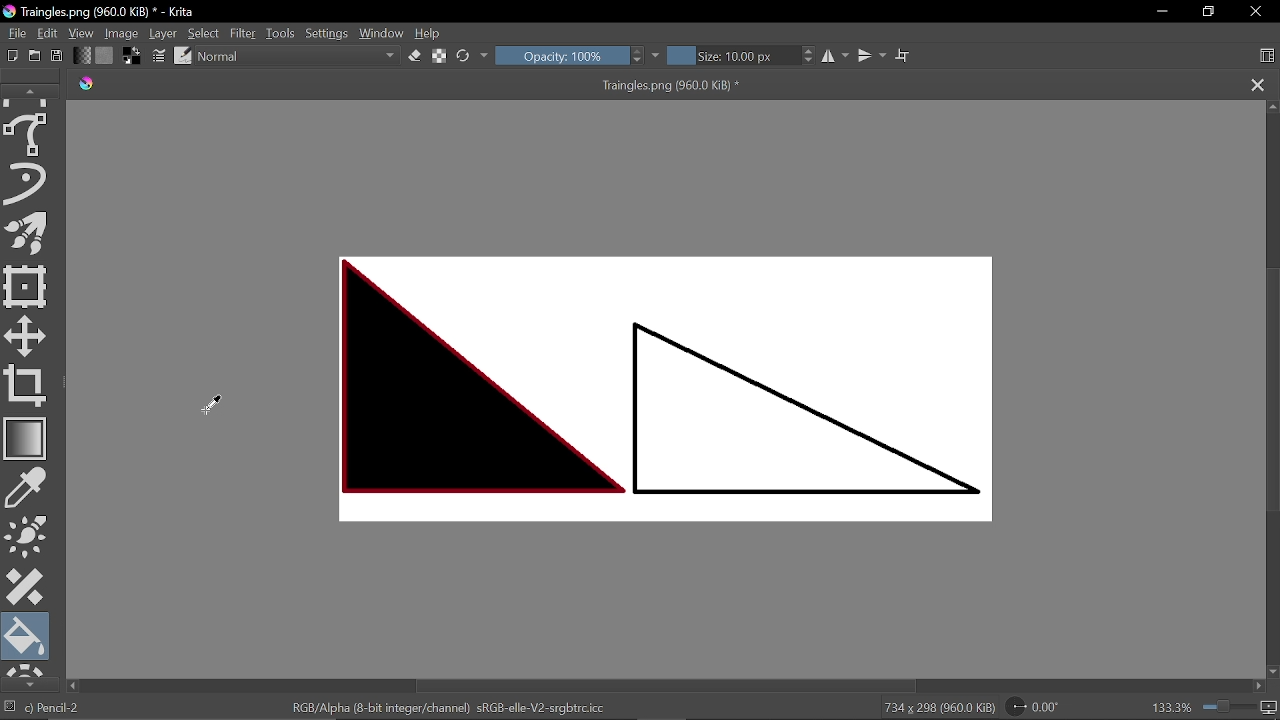 The width and height of the screenshot is (1280, 720). What do you see at coordinates (1272, 672) in the screenshot?
I see `Move down` at bounding box center [1272, 672].